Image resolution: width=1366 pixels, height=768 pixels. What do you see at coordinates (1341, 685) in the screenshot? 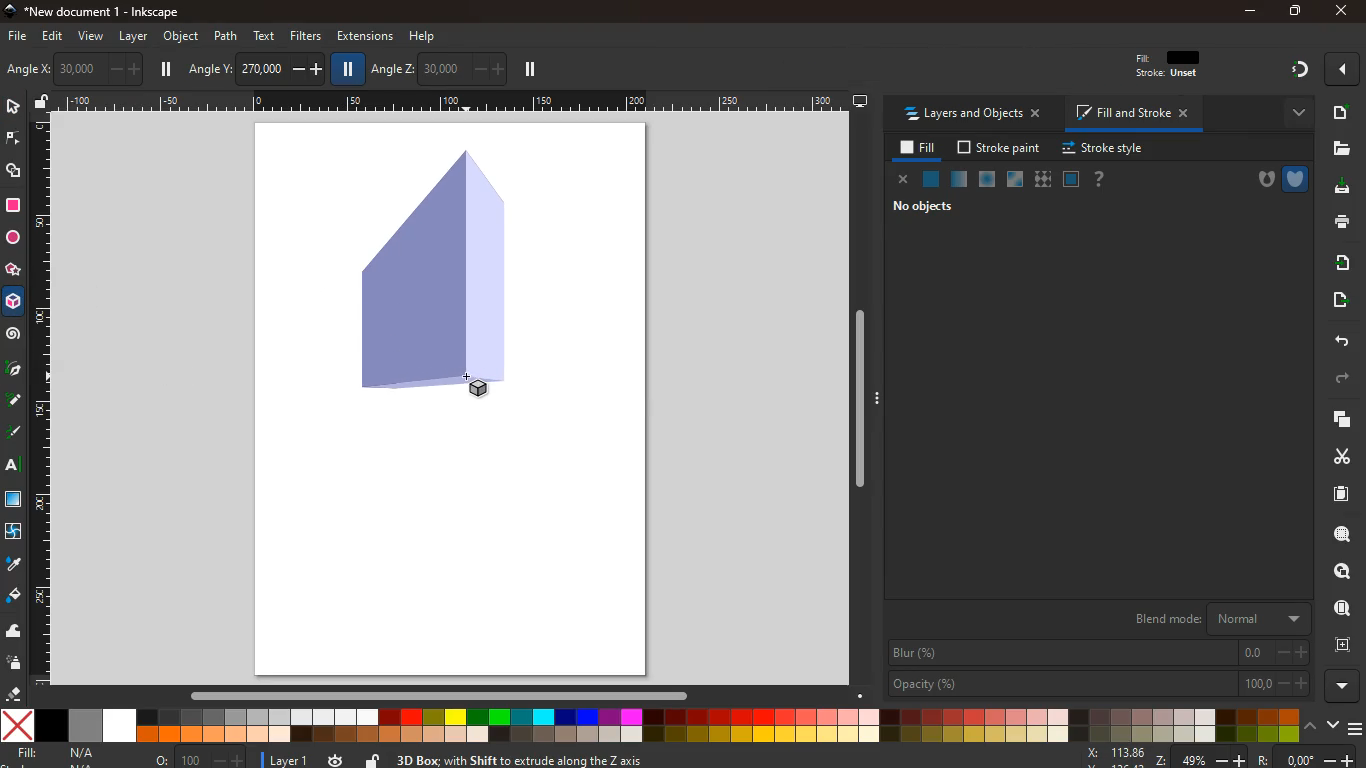
I see `more` at bounding box center [1341, 685].